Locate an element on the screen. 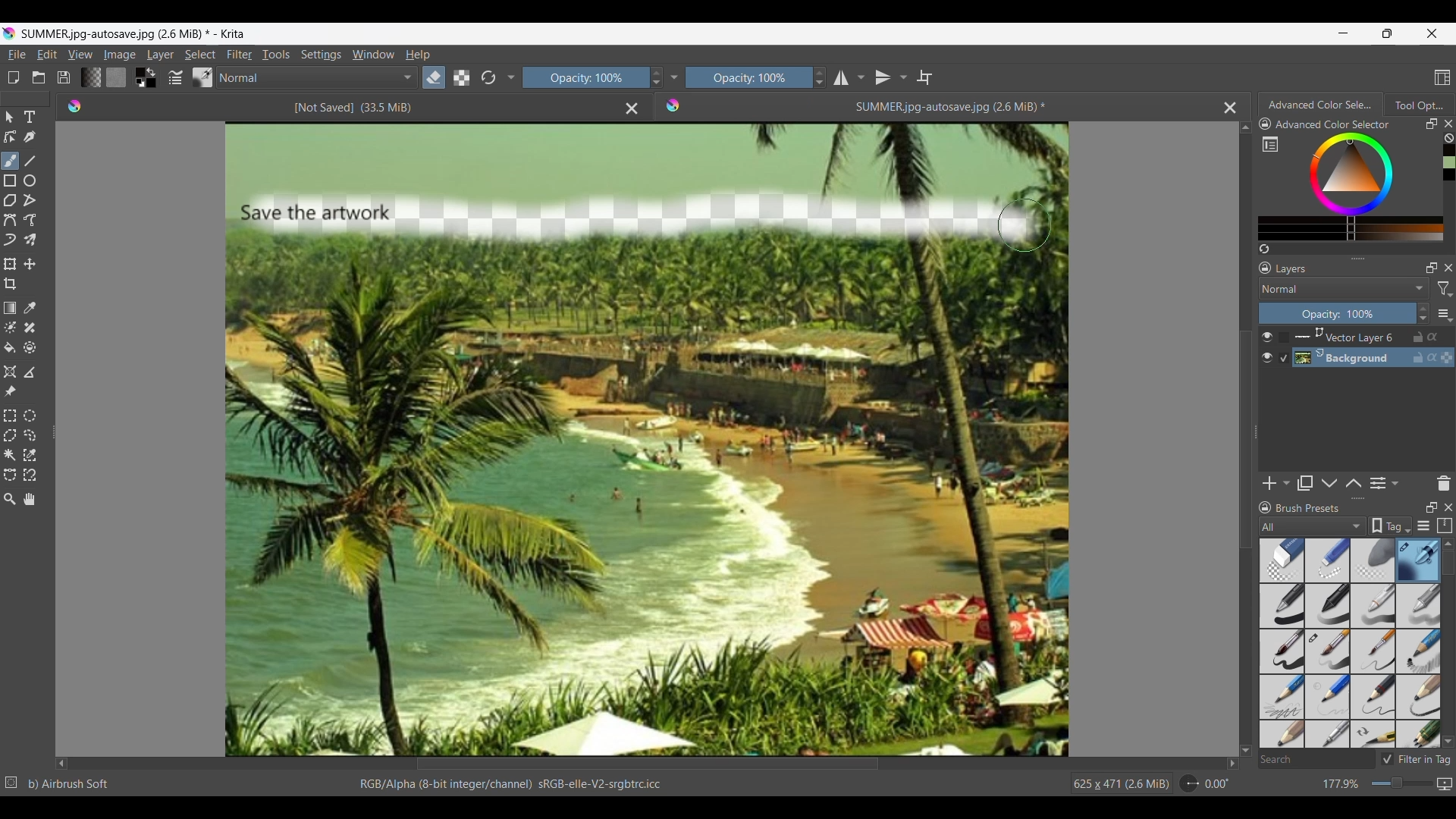 This screenshot has width=1456, height=819. Opacity 100% is located at coordinates (583, 78).